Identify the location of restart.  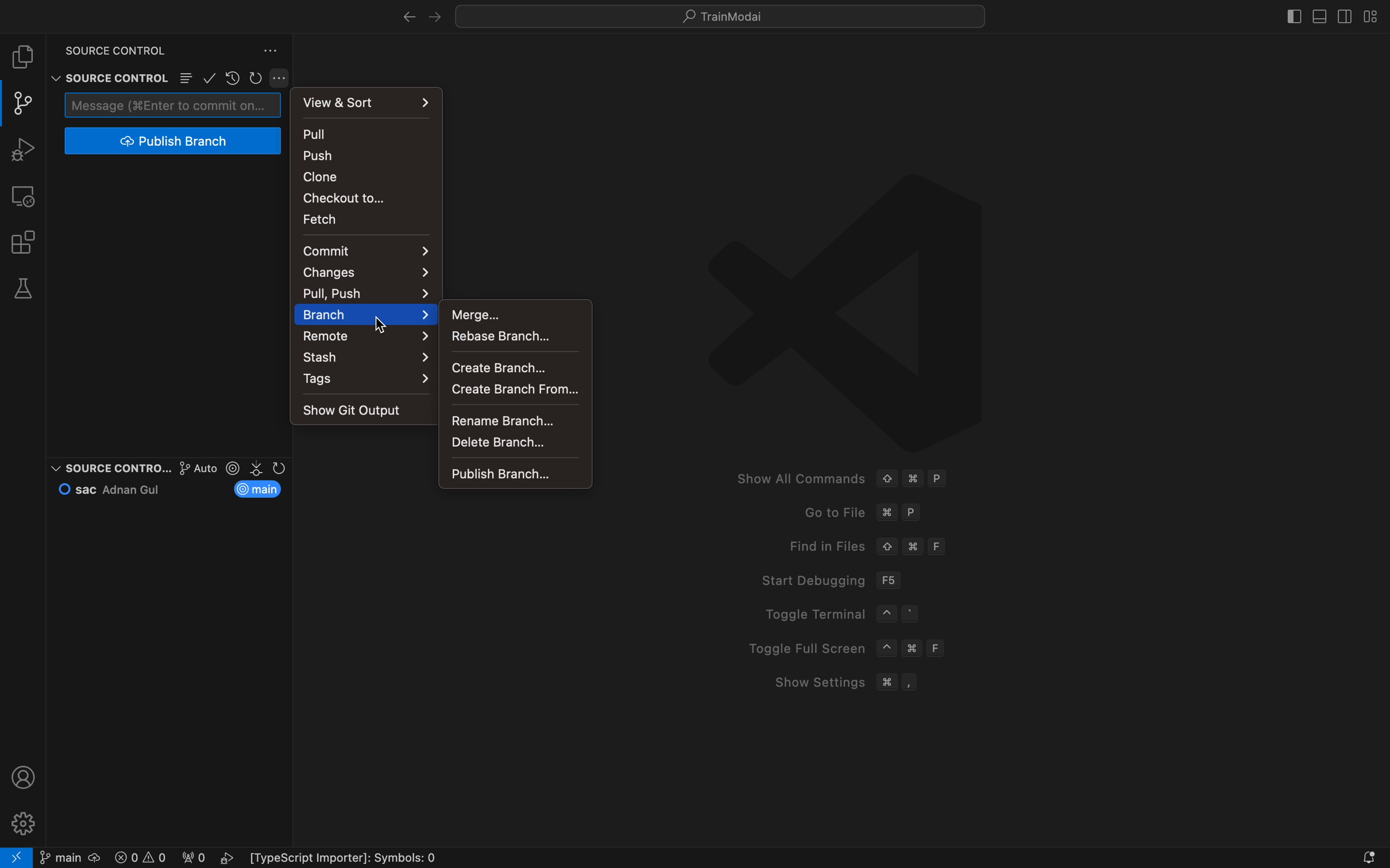
(257, 76).